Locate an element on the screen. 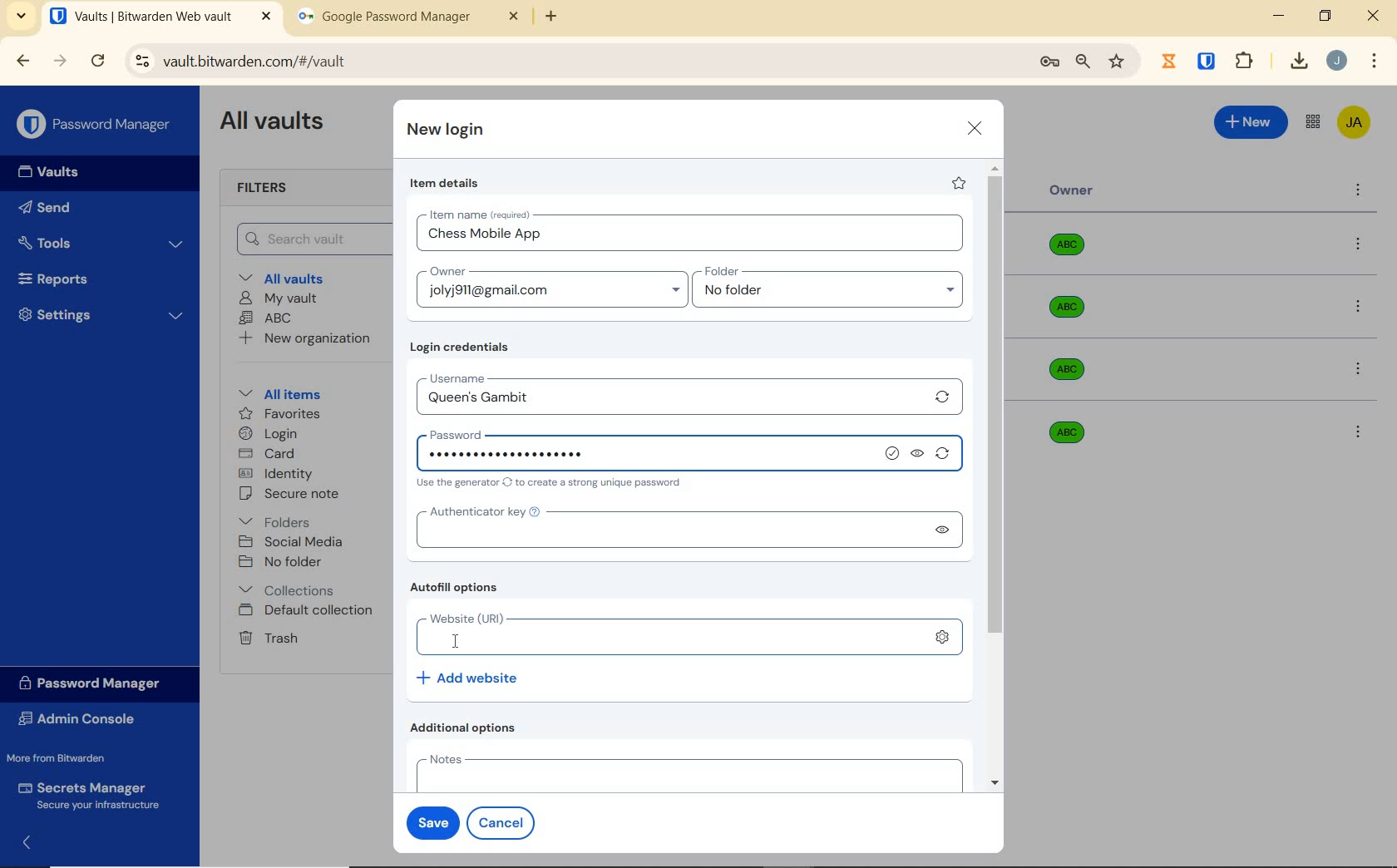  no folder is located at coordinates (834, 294).